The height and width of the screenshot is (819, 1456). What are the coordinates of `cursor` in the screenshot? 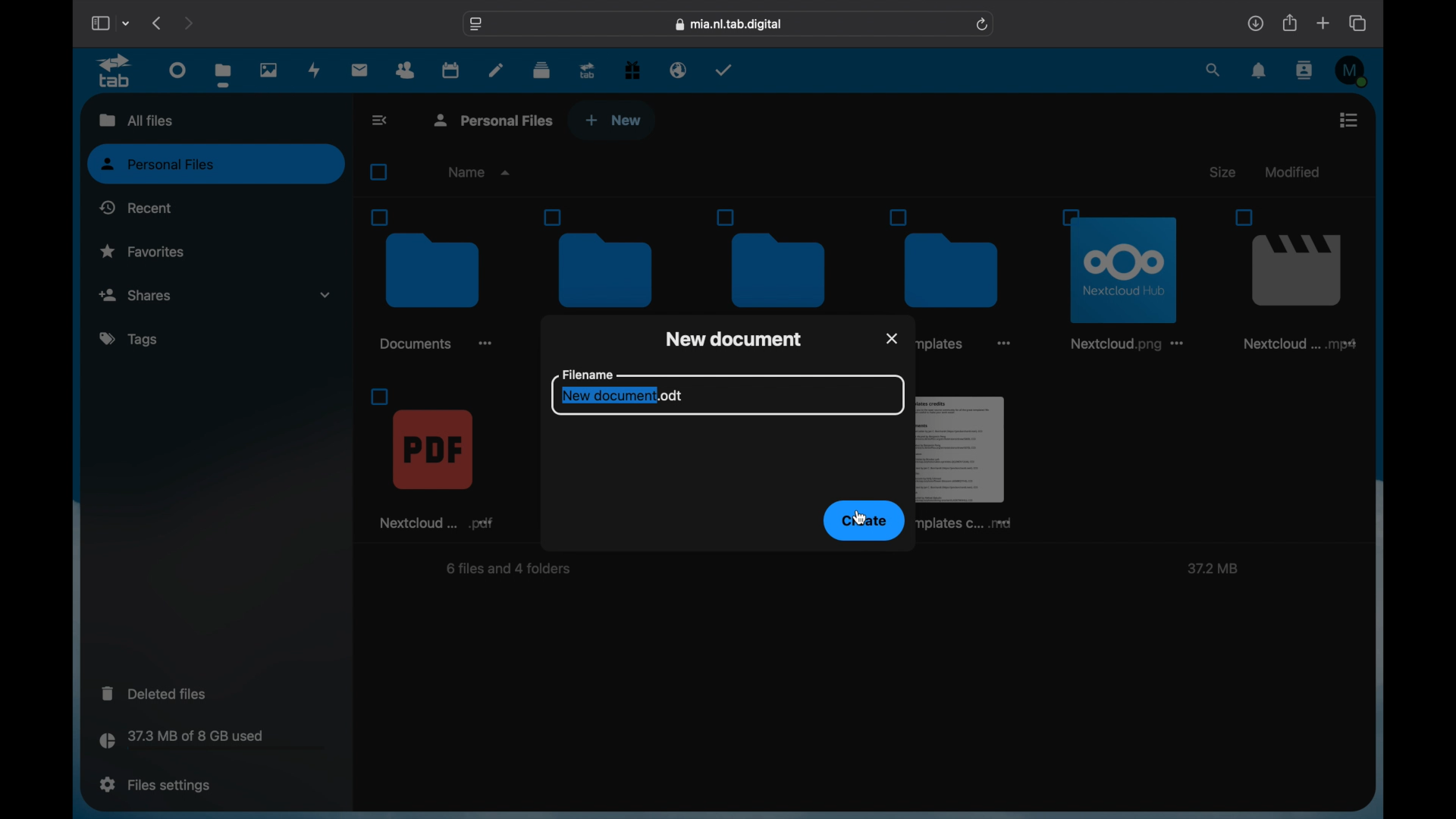 It's located at (861, 518).